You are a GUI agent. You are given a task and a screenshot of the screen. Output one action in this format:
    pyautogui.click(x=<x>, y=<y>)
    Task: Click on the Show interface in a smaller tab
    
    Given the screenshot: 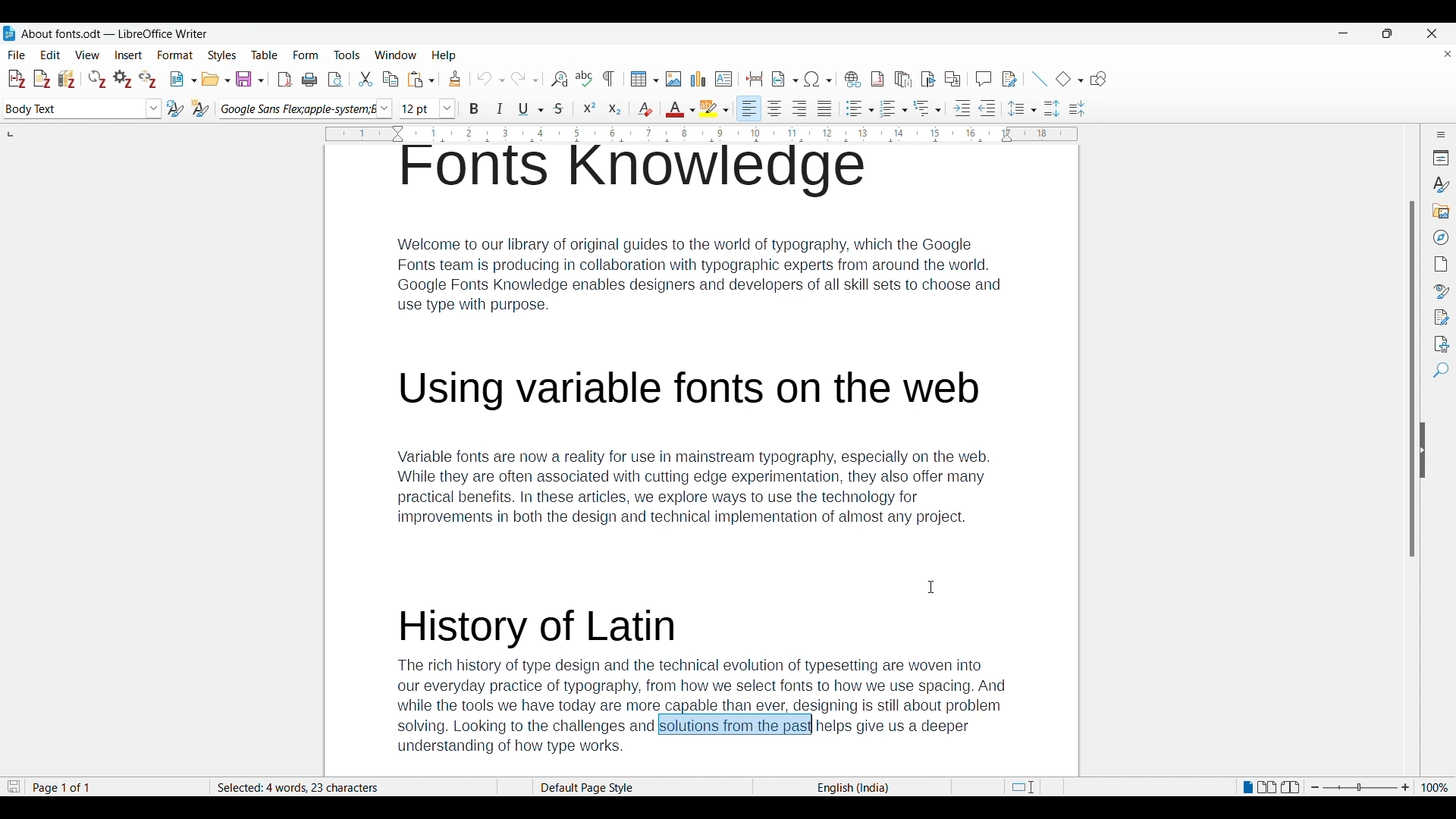 What is the action you would take?
    pyautogui.click(x=1387, y=33)
    